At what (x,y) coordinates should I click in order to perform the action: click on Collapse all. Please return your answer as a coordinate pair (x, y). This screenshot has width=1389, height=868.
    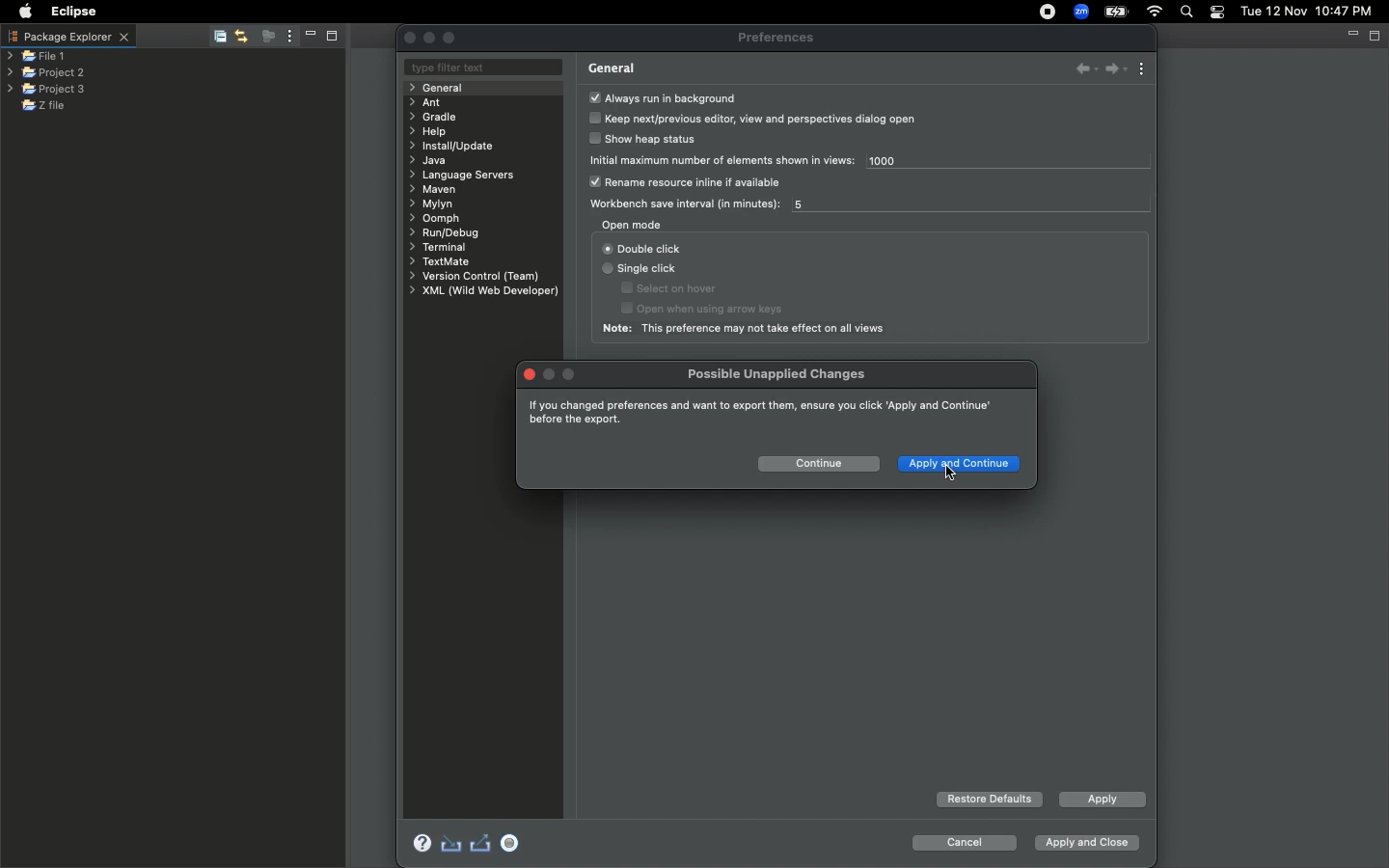
    Looking at the image, I should click on (218, 36).